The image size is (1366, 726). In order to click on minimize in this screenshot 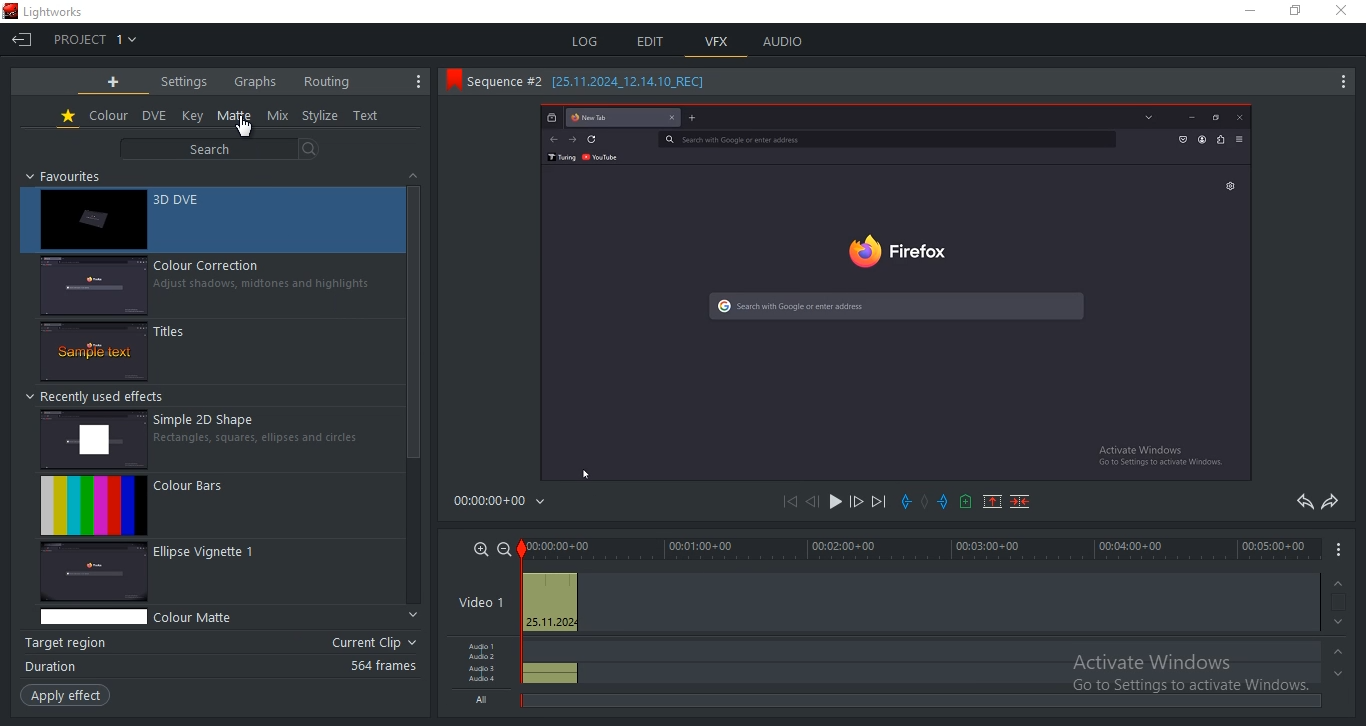, I will do `click(1247, 10)`.